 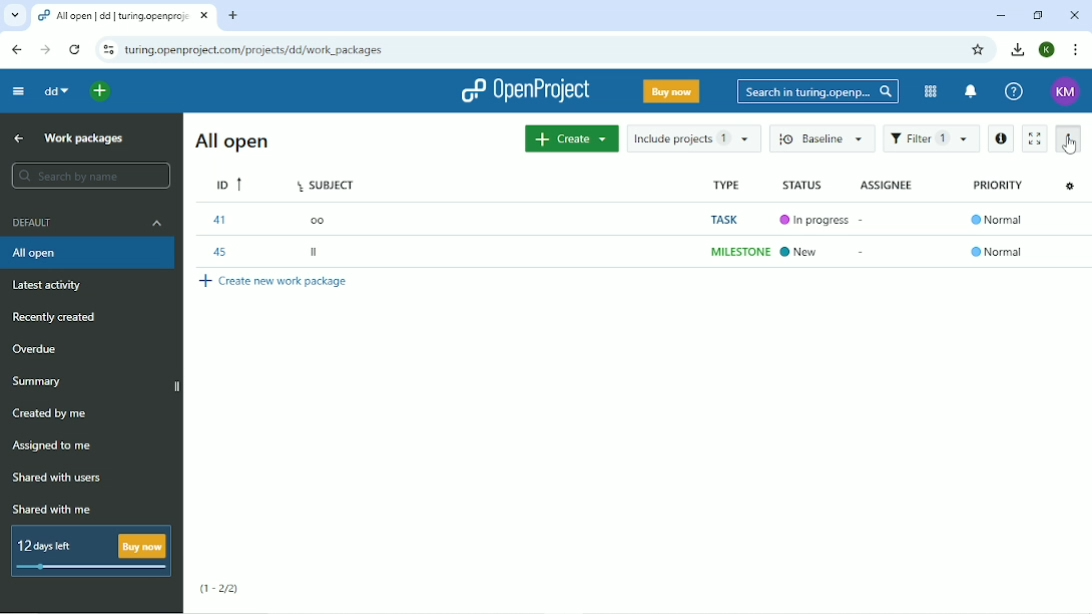 I want to click on To notification center, so click(x=970, y=92).